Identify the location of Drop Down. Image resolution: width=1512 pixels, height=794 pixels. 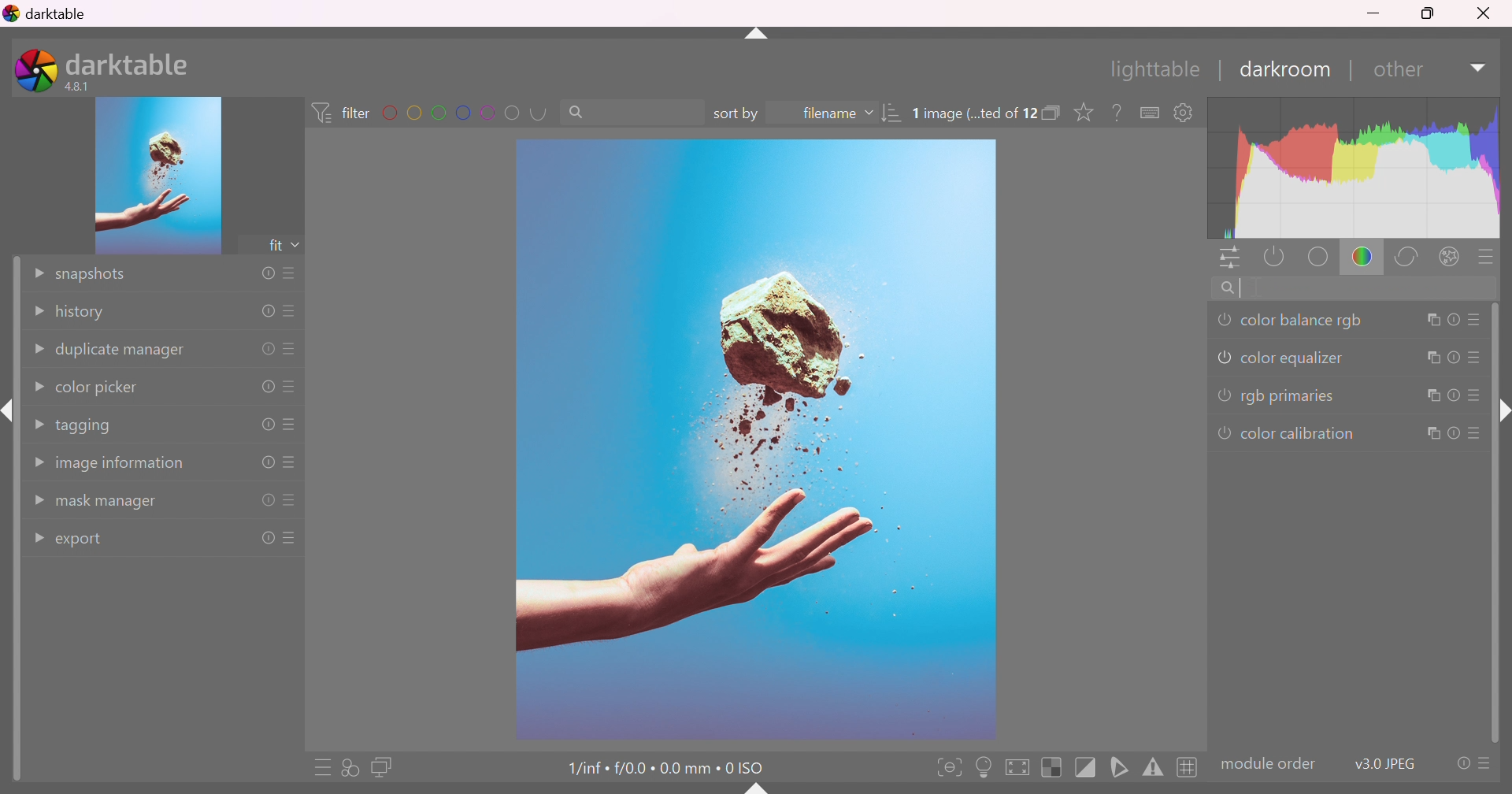
(37, 273).